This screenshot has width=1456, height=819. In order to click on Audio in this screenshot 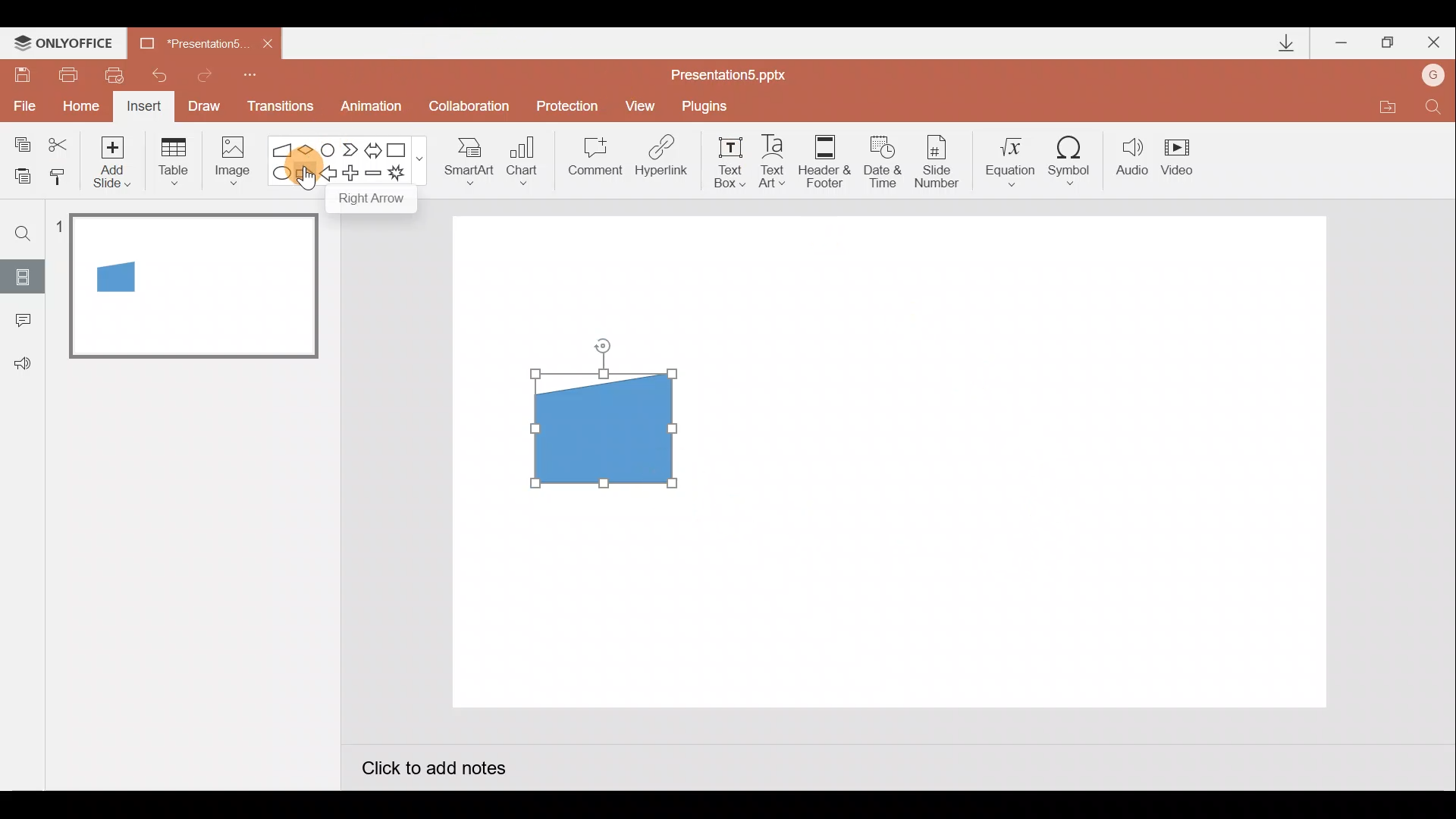, I will do `click(1133, 160)`.